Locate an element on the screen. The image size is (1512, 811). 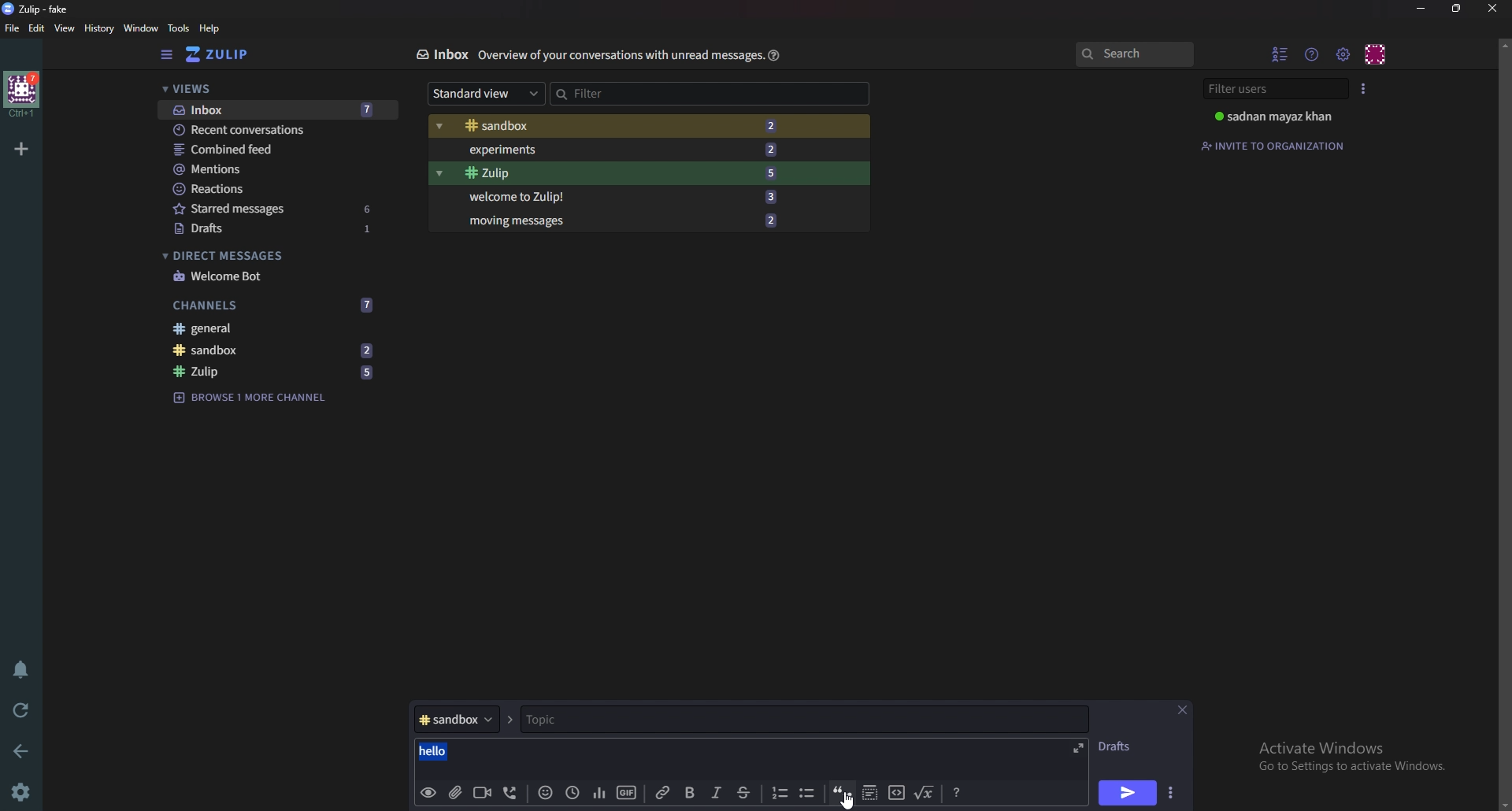
2 is located at coordinates (776, 148).